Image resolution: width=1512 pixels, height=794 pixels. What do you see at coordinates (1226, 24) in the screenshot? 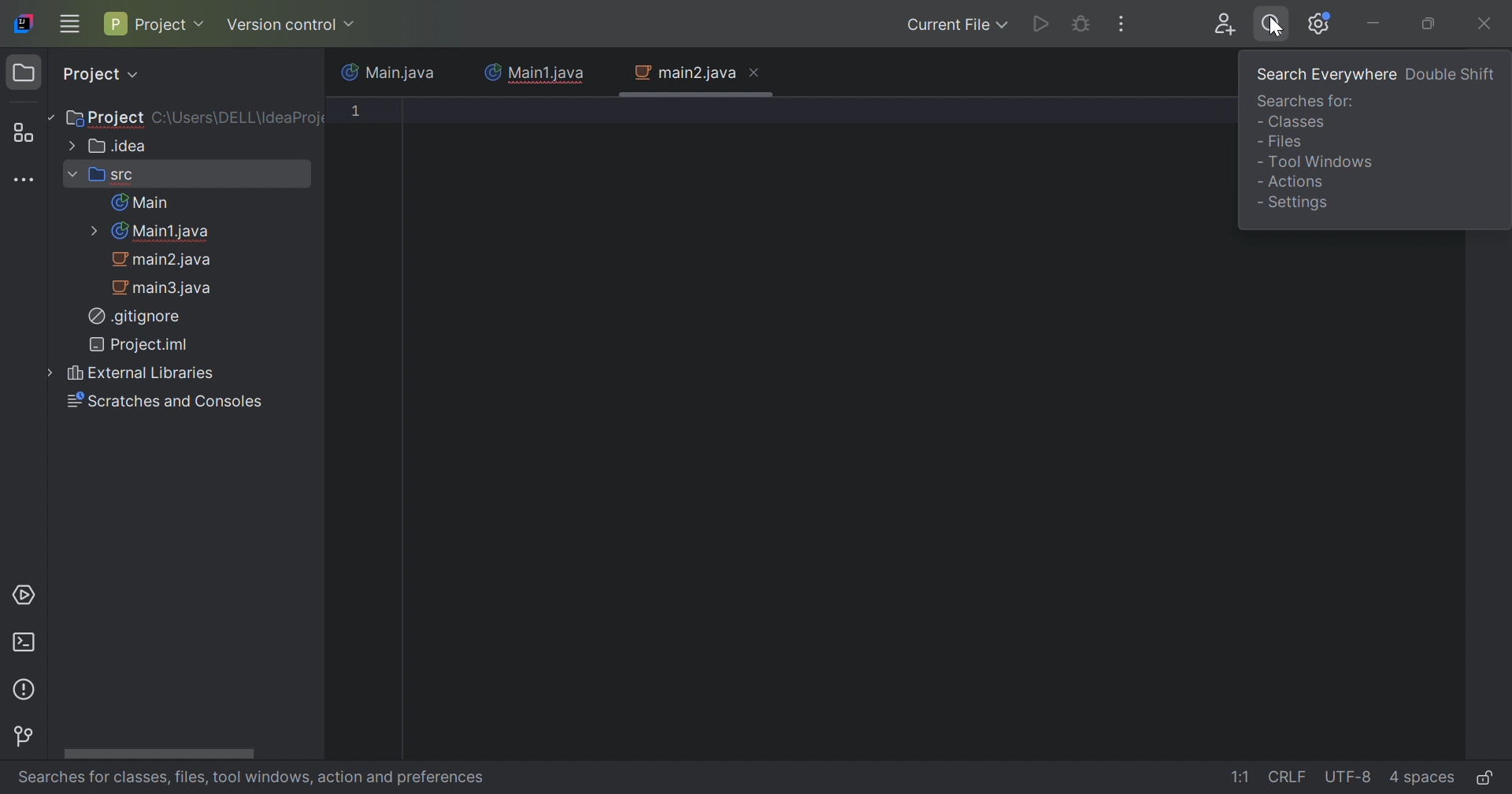
I see `Code with me` at bounding box center [1226, 24].